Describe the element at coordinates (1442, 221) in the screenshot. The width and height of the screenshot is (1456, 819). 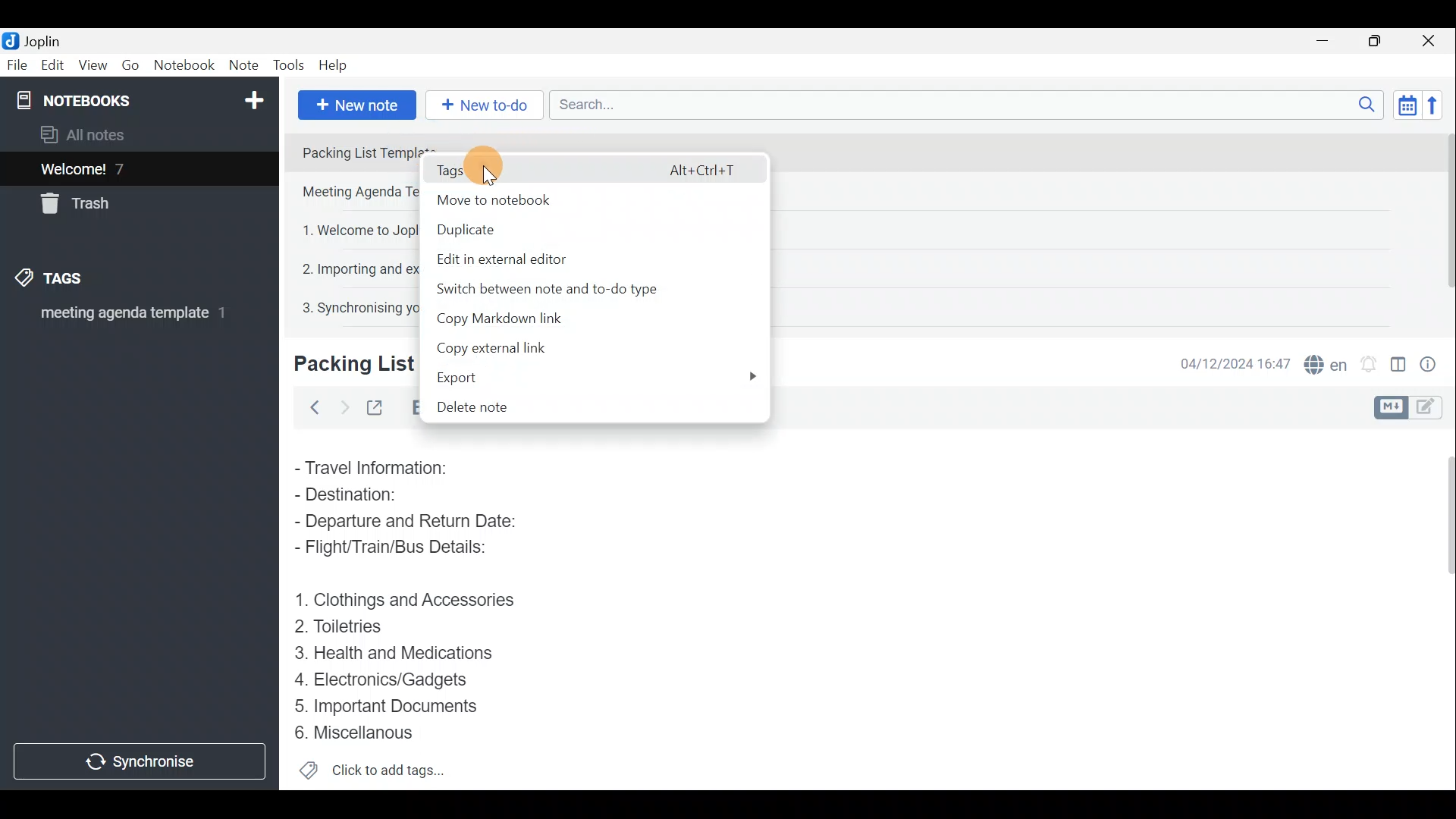
I see `Scroll bar` at that location.